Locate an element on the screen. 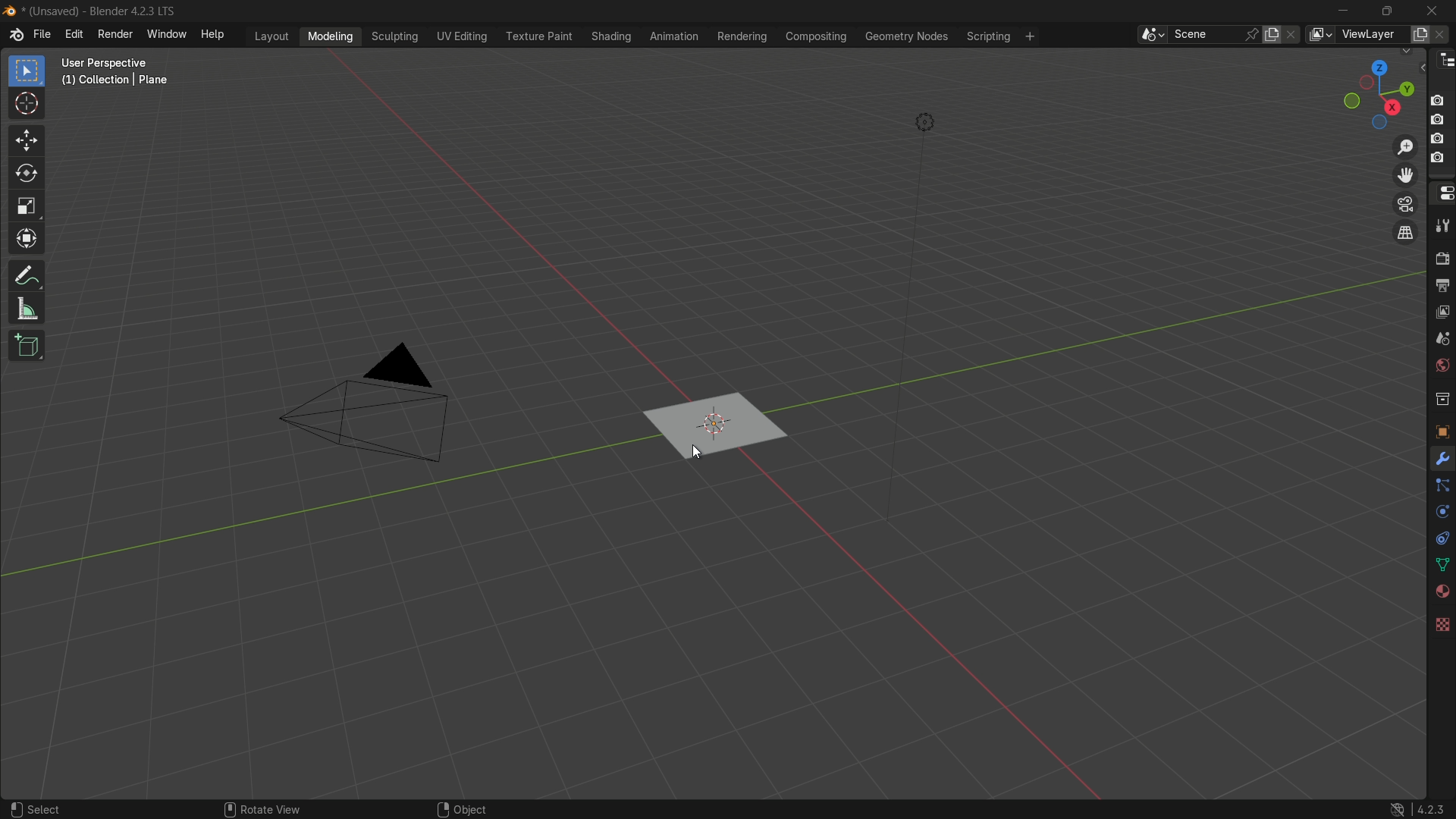 The image size is (1456, 819). scene is located at coordinates (1439, 338).